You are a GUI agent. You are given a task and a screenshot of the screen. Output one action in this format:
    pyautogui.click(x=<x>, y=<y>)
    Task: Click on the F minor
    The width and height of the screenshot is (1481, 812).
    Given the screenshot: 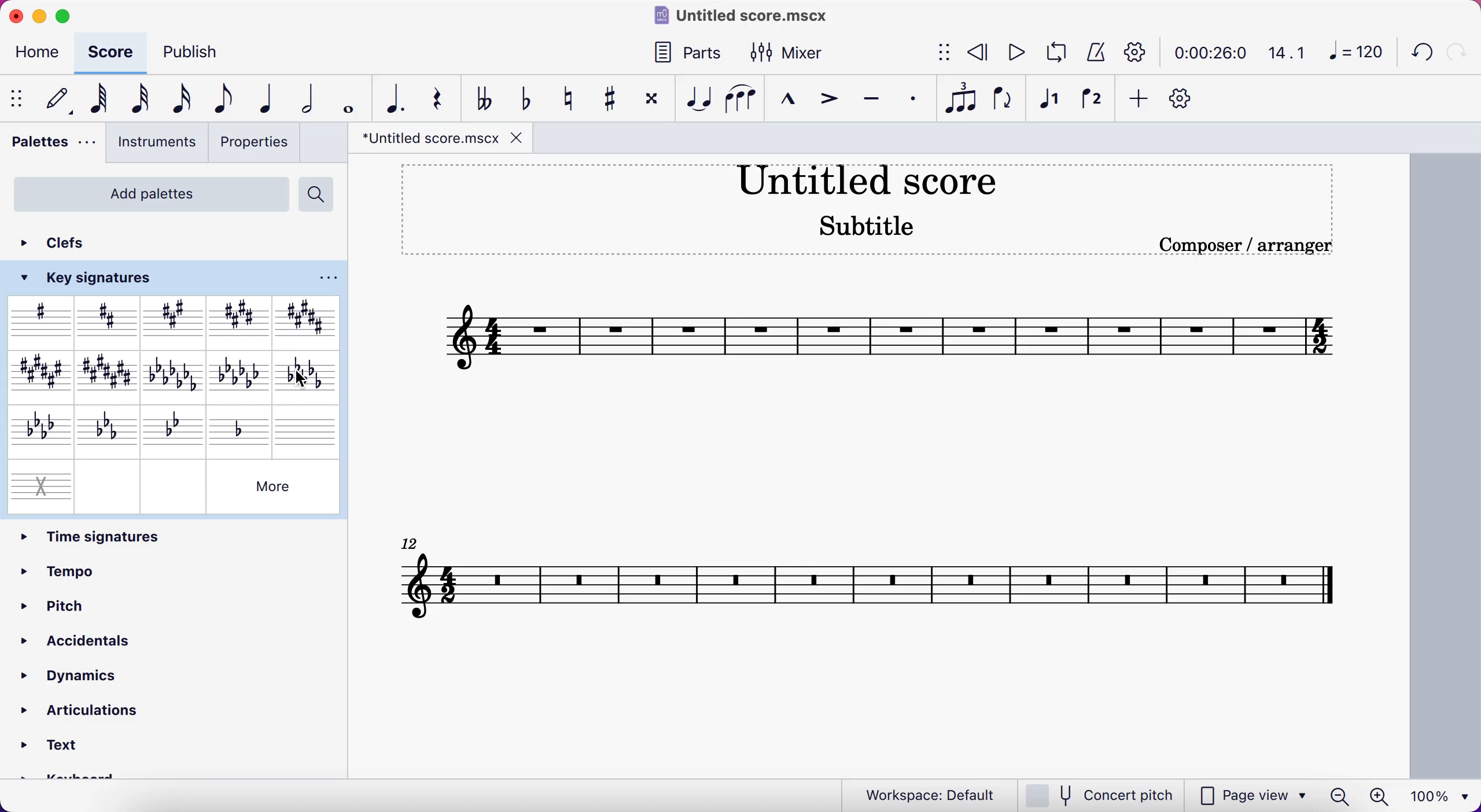 What is the action you would take?
    pyautogui.click(x=36, y=430)
    